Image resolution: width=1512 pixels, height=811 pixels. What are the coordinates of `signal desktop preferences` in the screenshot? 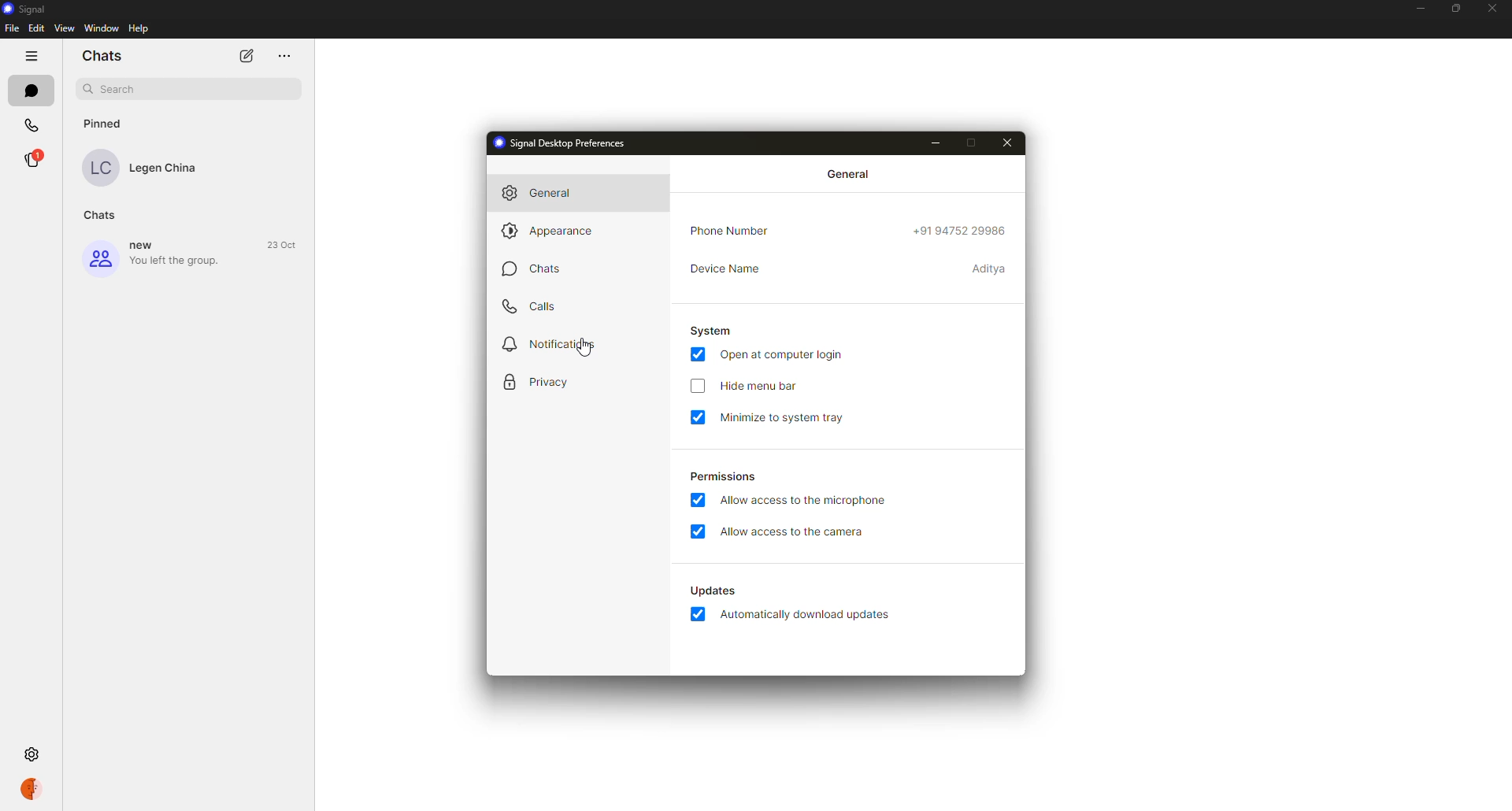 It's located at (561, 143).